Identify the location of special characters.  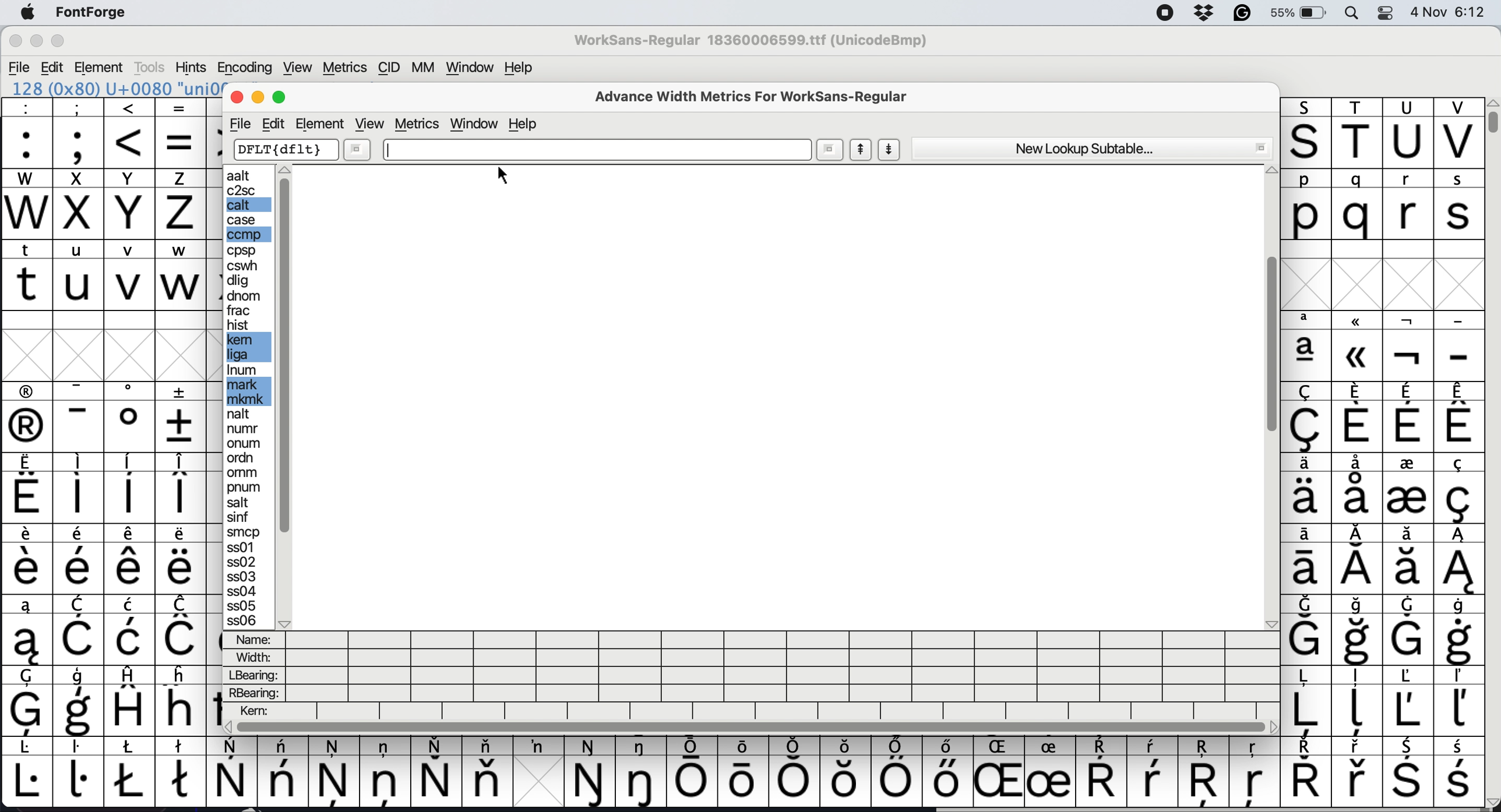
(103, 532).